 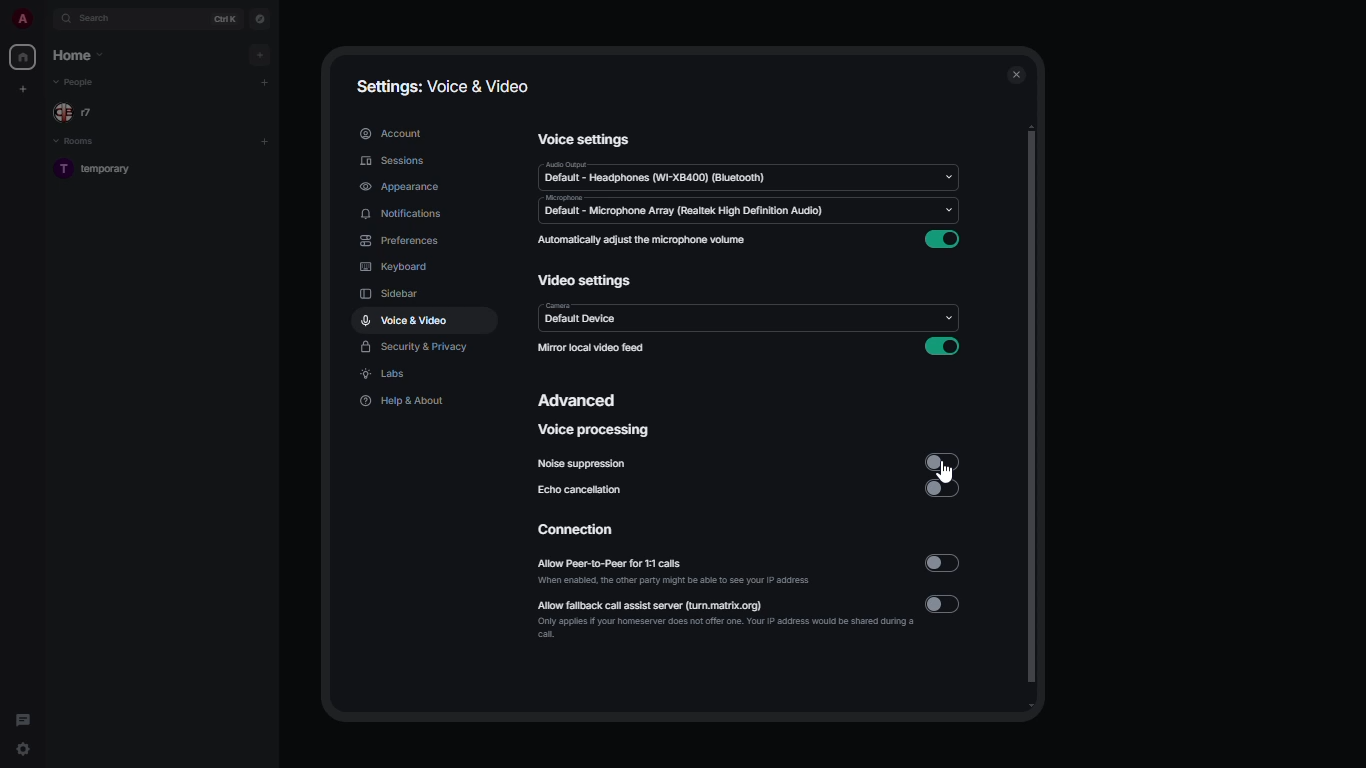 What do you see at coordinates (580, 489) in the screenshot?
I see `echo cancellation` at bounding box center [580, 489].